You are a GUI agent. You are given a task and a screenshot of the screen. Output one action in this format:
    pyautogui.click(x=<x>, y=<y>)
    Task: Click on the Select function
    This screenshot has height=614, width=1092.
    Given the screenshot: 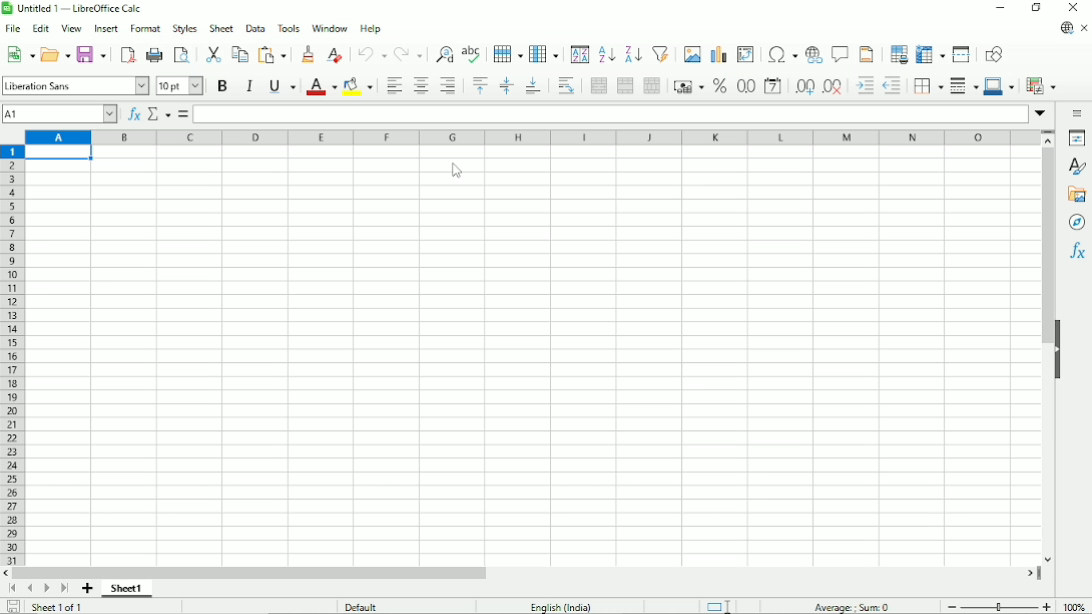 What is the action you would take?
    pyautogui.click(x=159, y=114)
    